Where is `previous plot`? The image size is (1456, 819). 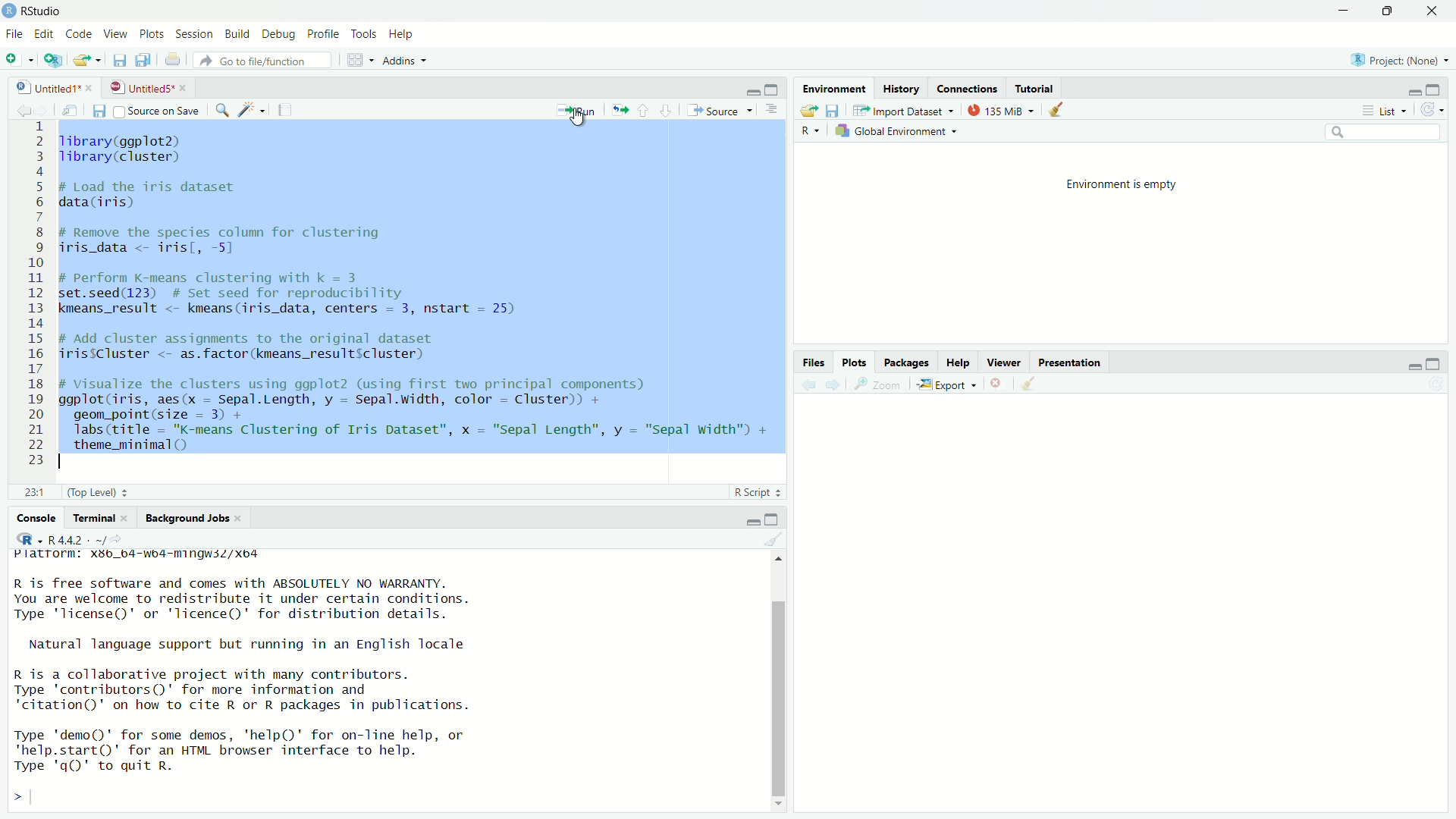
previous plot is located at coordinates (804, 385).